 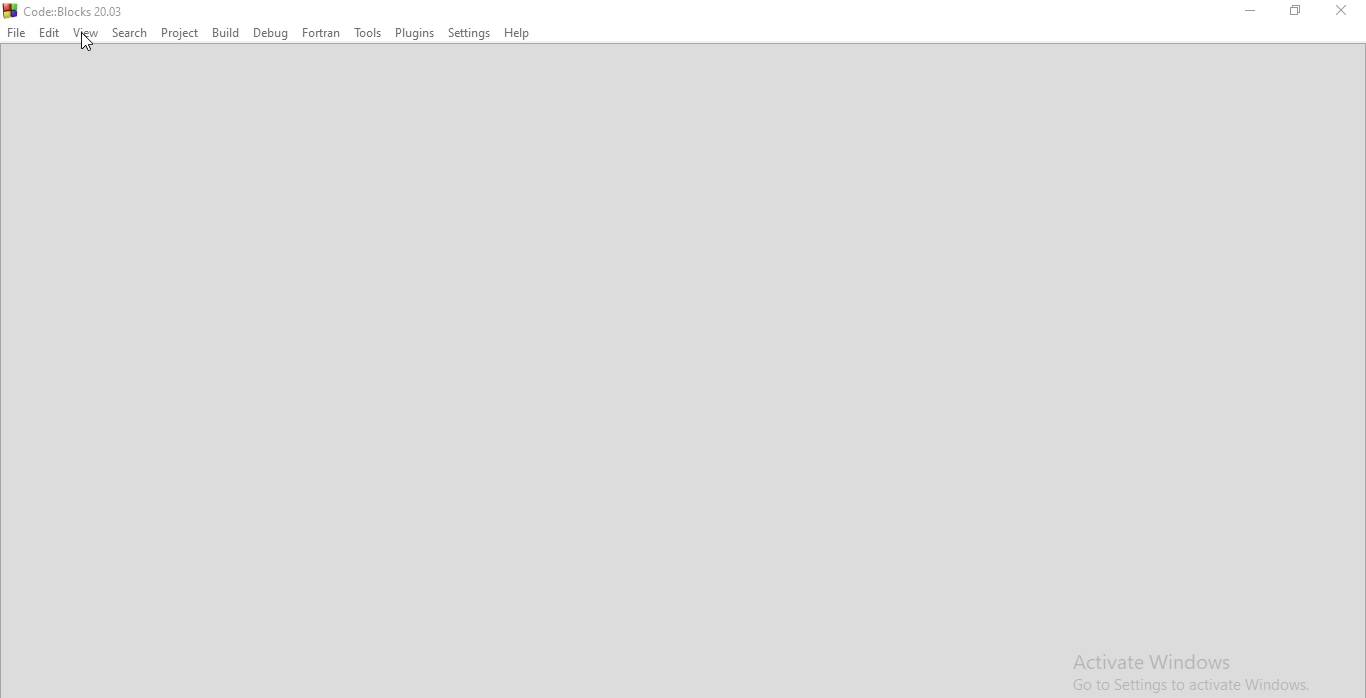 I want to click on Fortran, so click(x=321, y=32).